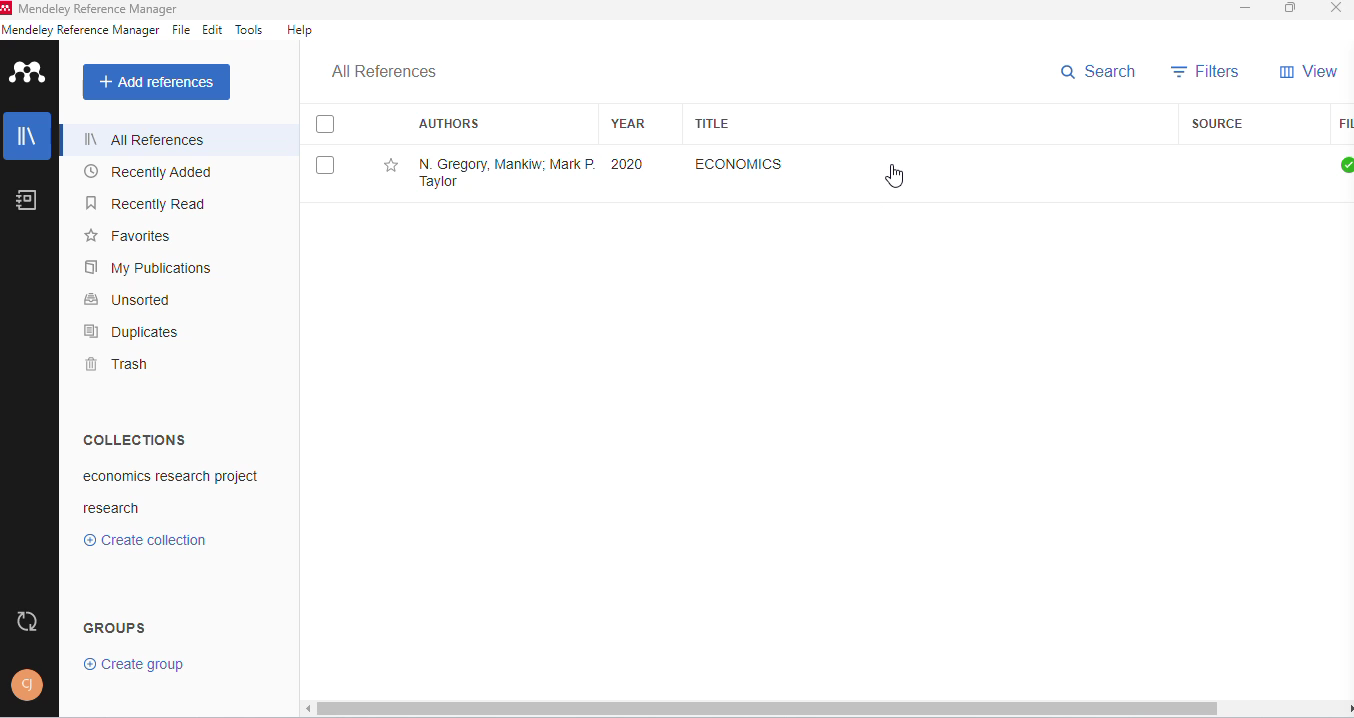 Image resolution: width=1354 pixels, height=718 pixels. Describe the element at coordinates (172, 477) in the screenshot. I see `economics research project` at that location.